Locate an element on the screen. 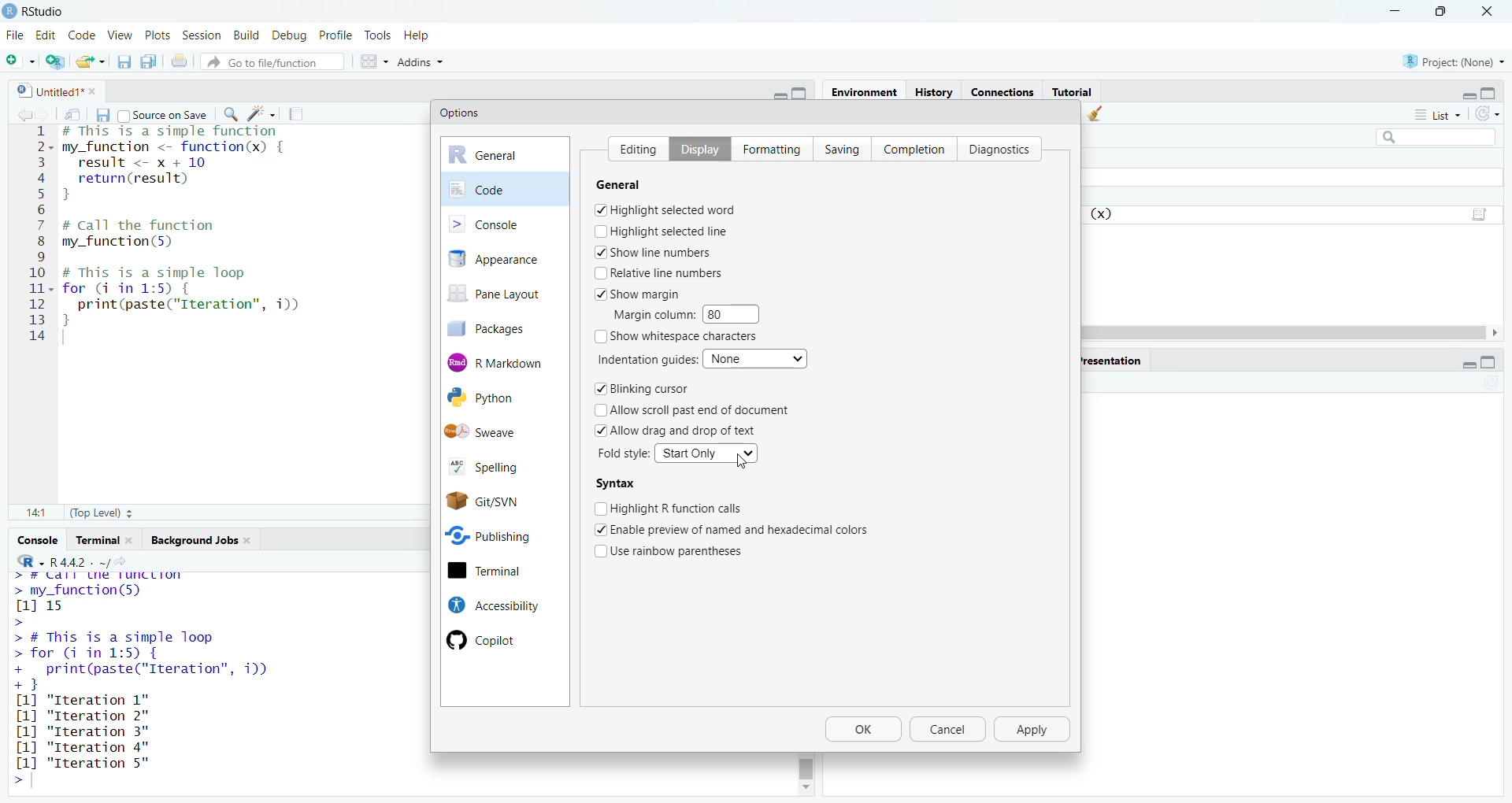 The image size is (1512, 803). maximize is located at coordinates (805, 93).